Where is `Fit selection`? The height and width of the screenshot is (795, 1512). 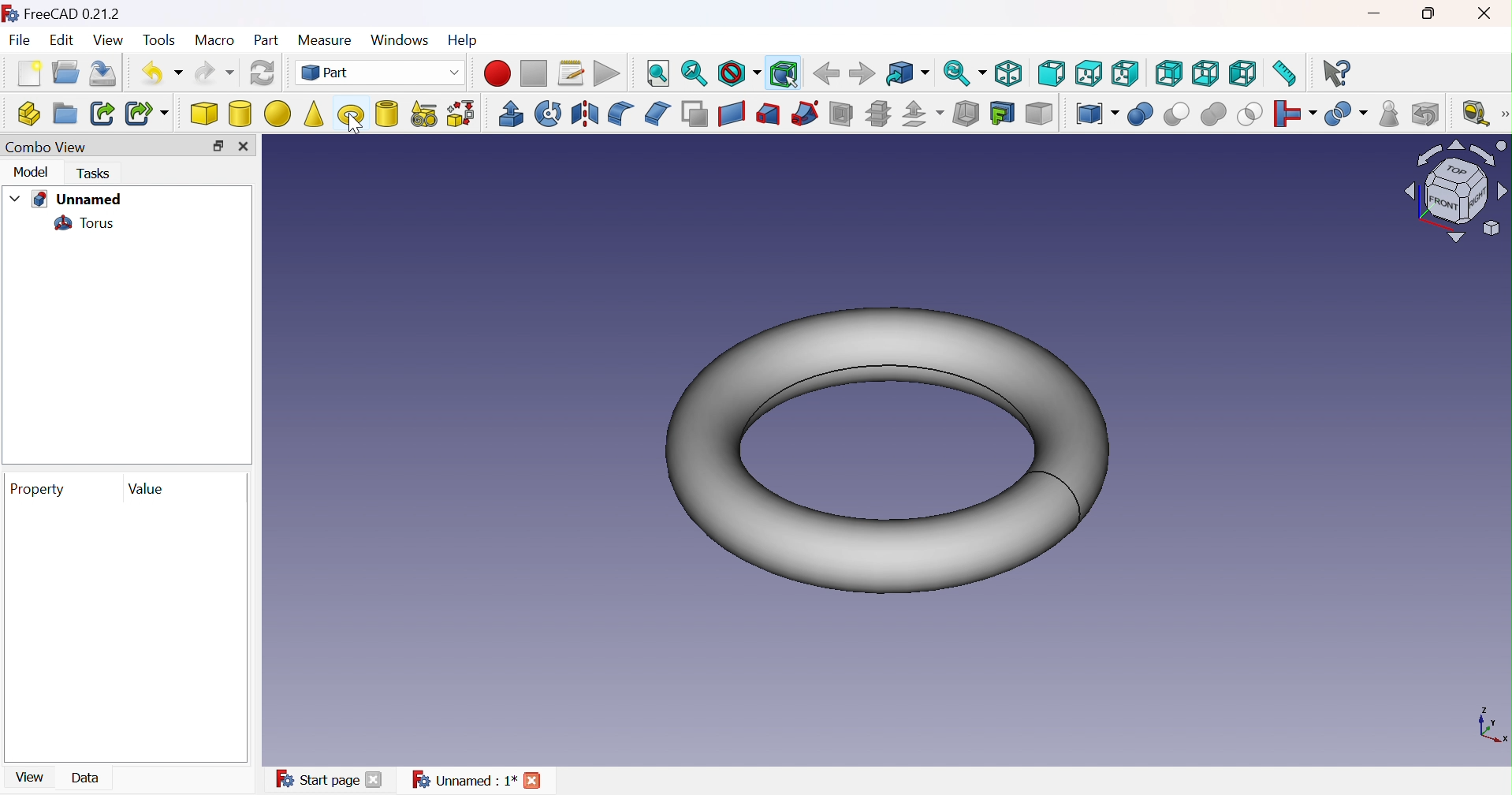 Fit selection is located at coordinates (694, 73).